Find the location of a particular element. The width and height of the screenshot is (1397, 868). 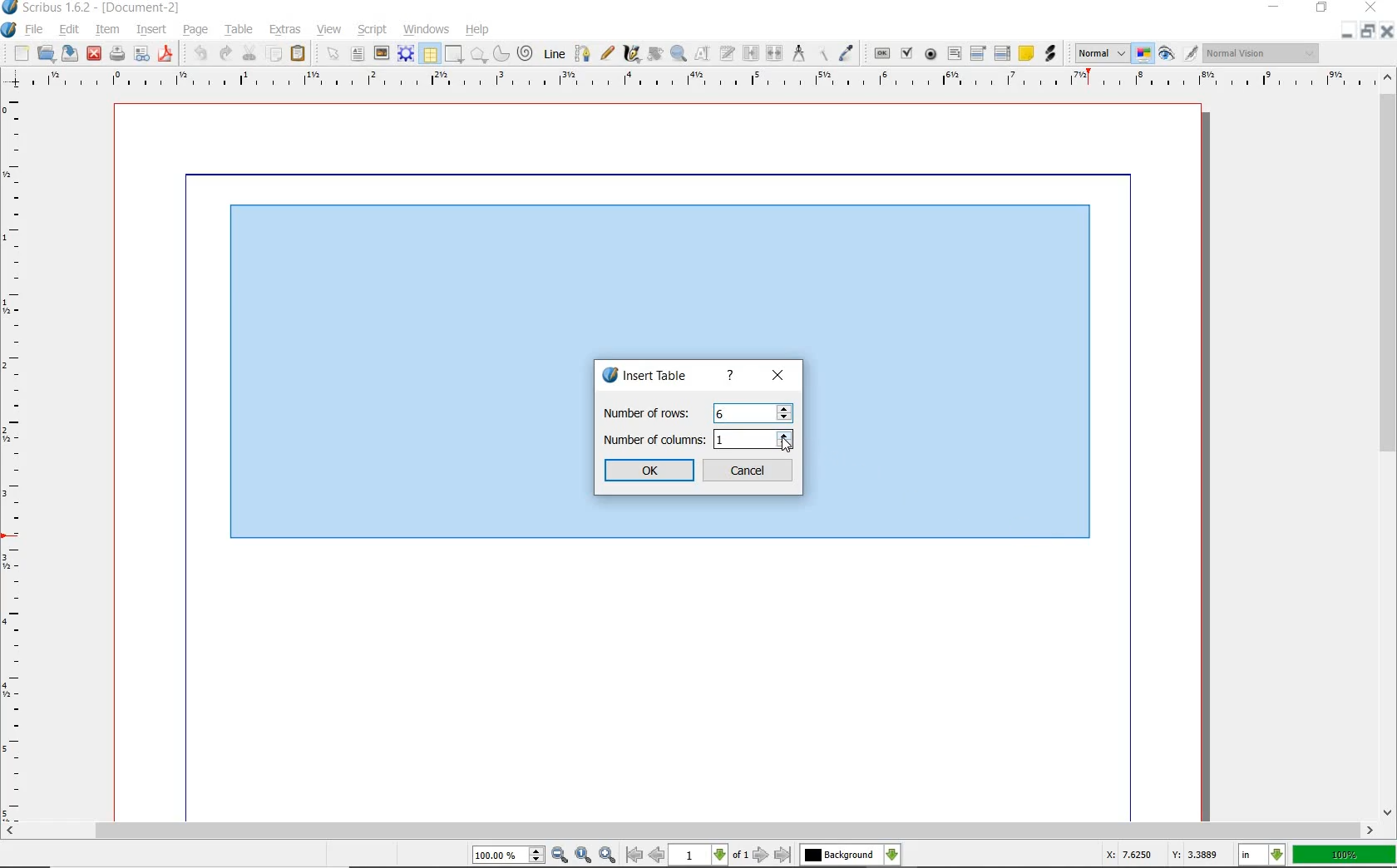

system logo is located at coordinates (11, 28).